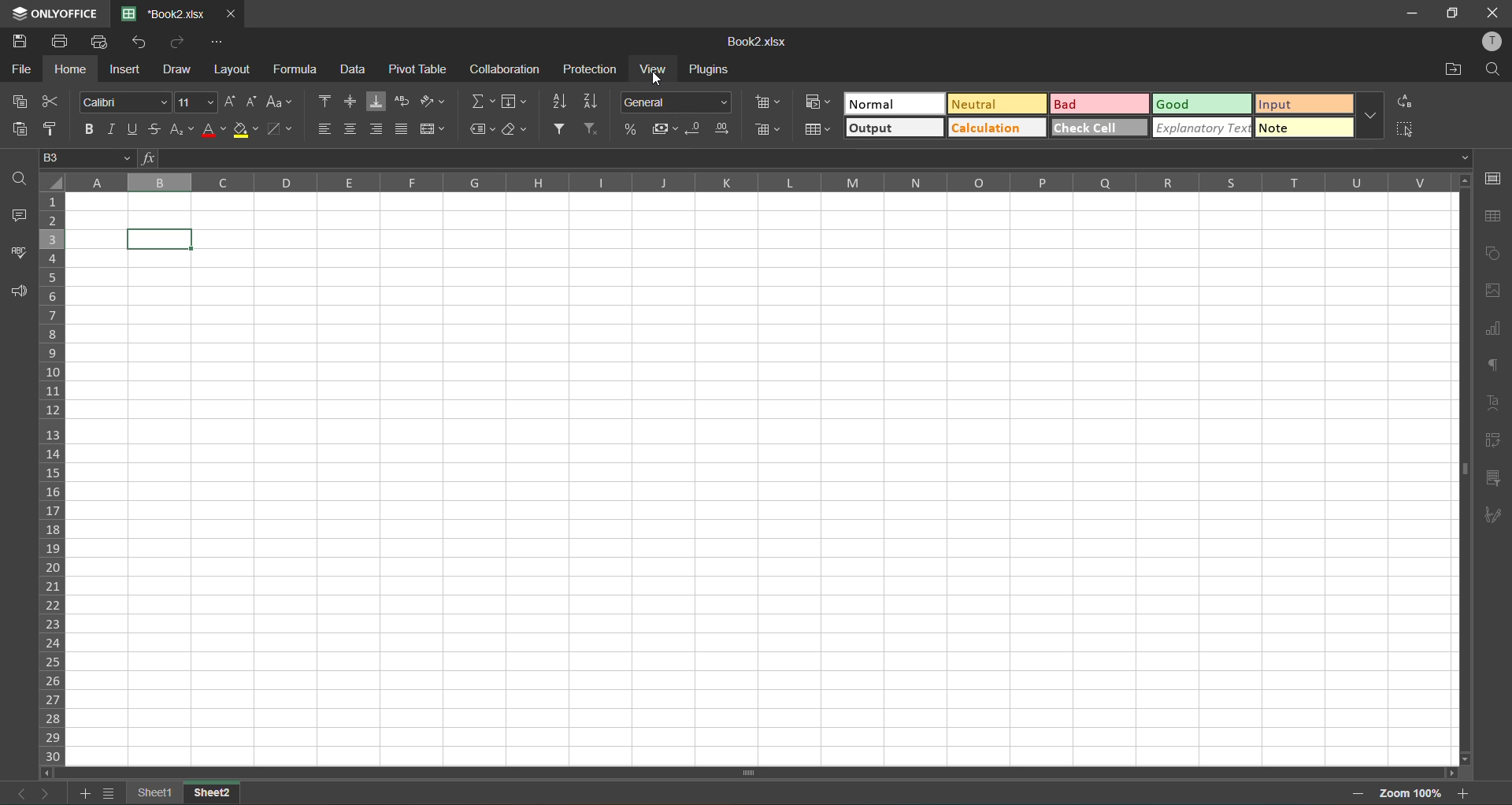 The image size is (1512, 805). Describe the element at coordinates (658, 80) in the screenshot. I see `cursor` at that location.